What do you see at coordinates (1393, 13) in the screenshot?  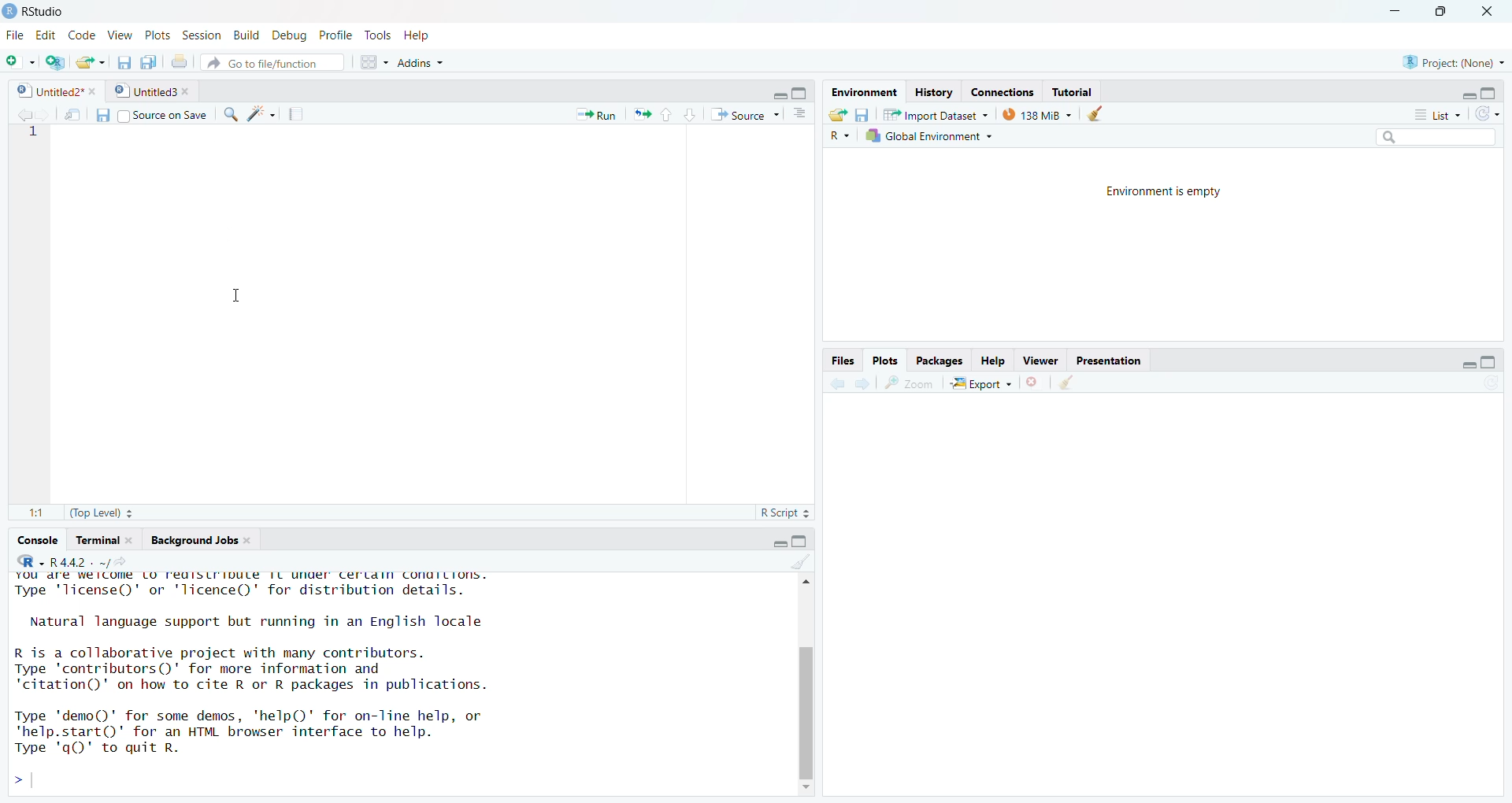 I see `minimize` at bounding box center [1393, 13].